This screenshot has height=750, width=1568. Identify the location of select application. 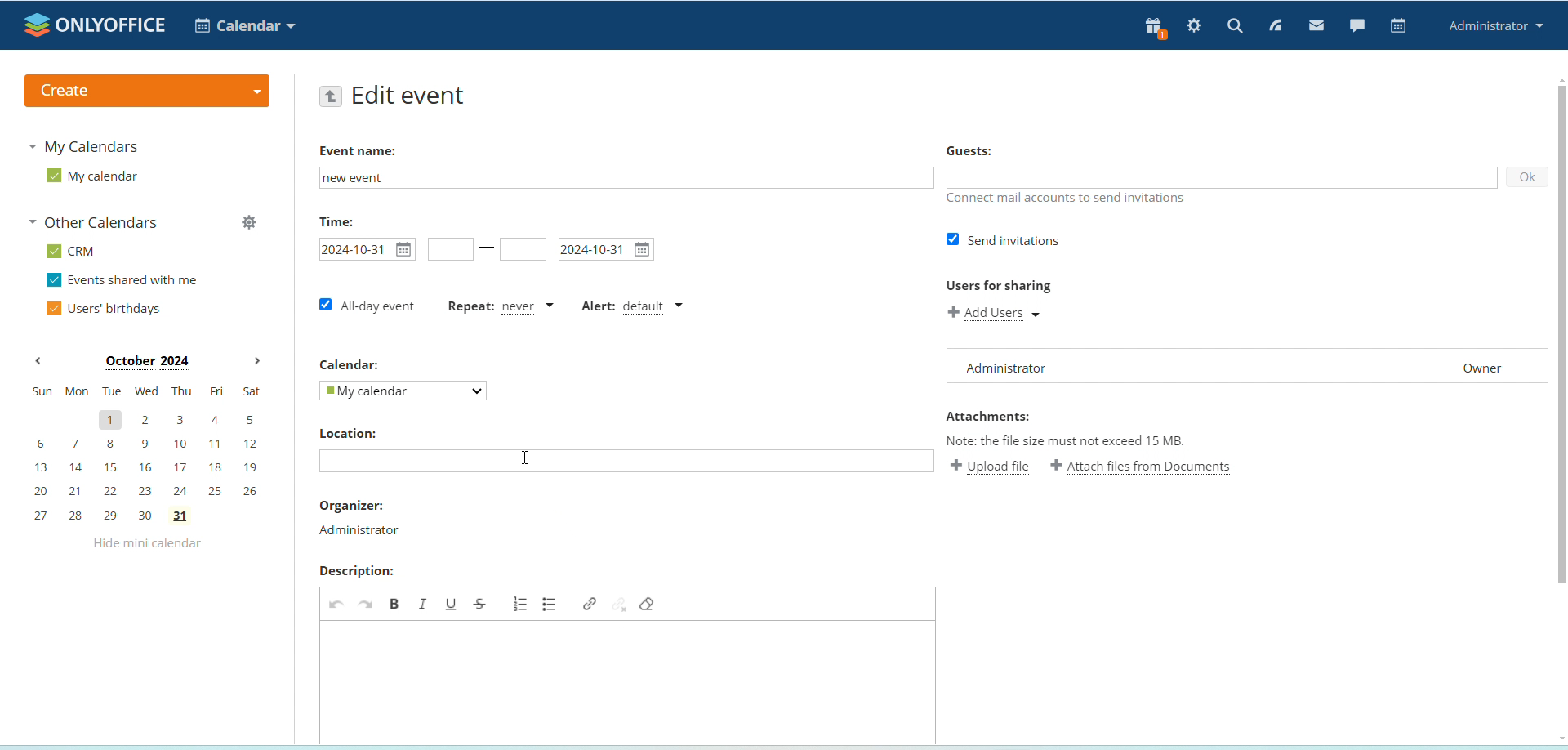
(245, 25).